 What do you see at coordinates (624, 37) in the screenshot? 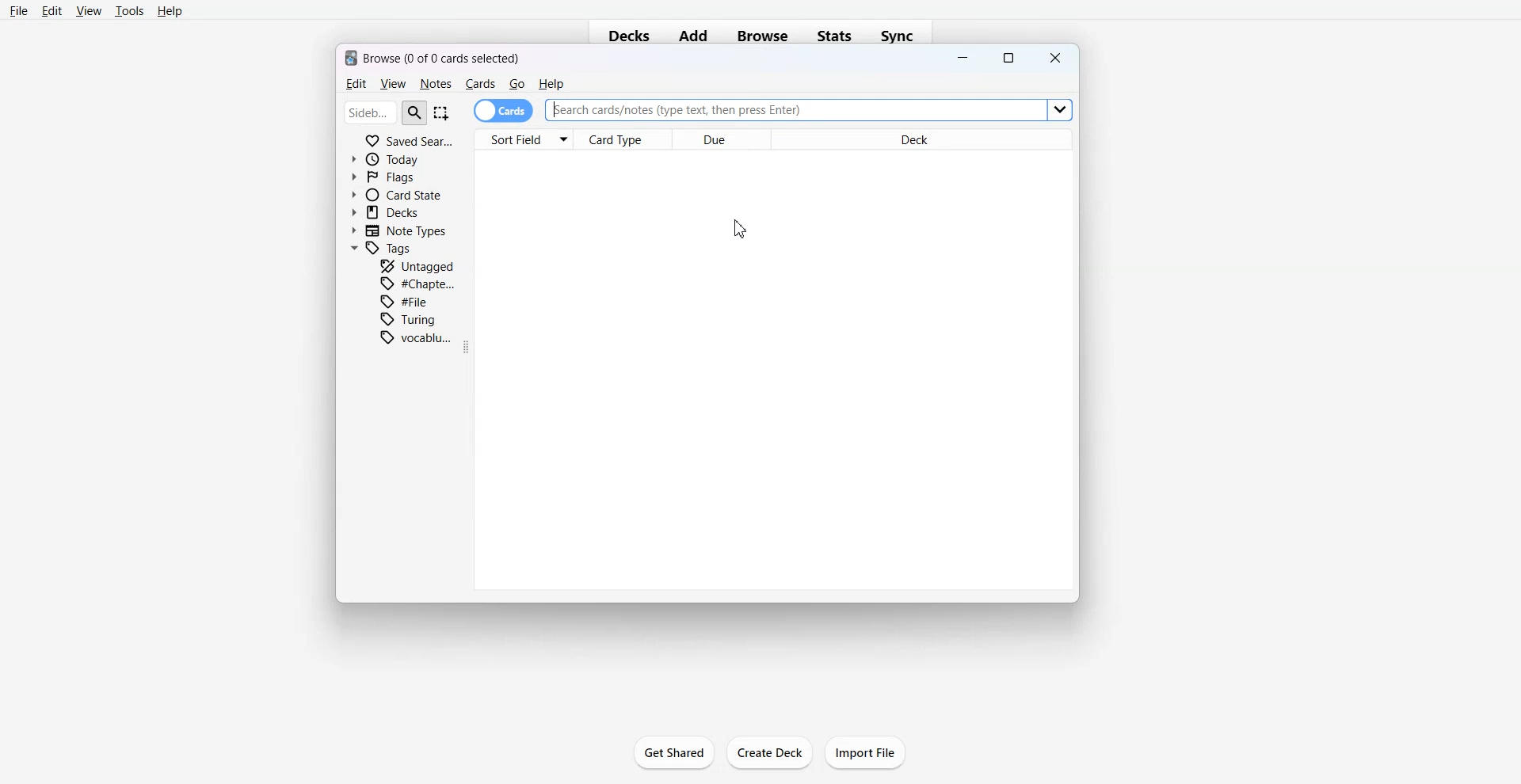
I see `Decks` at bounding box center [624, 37].